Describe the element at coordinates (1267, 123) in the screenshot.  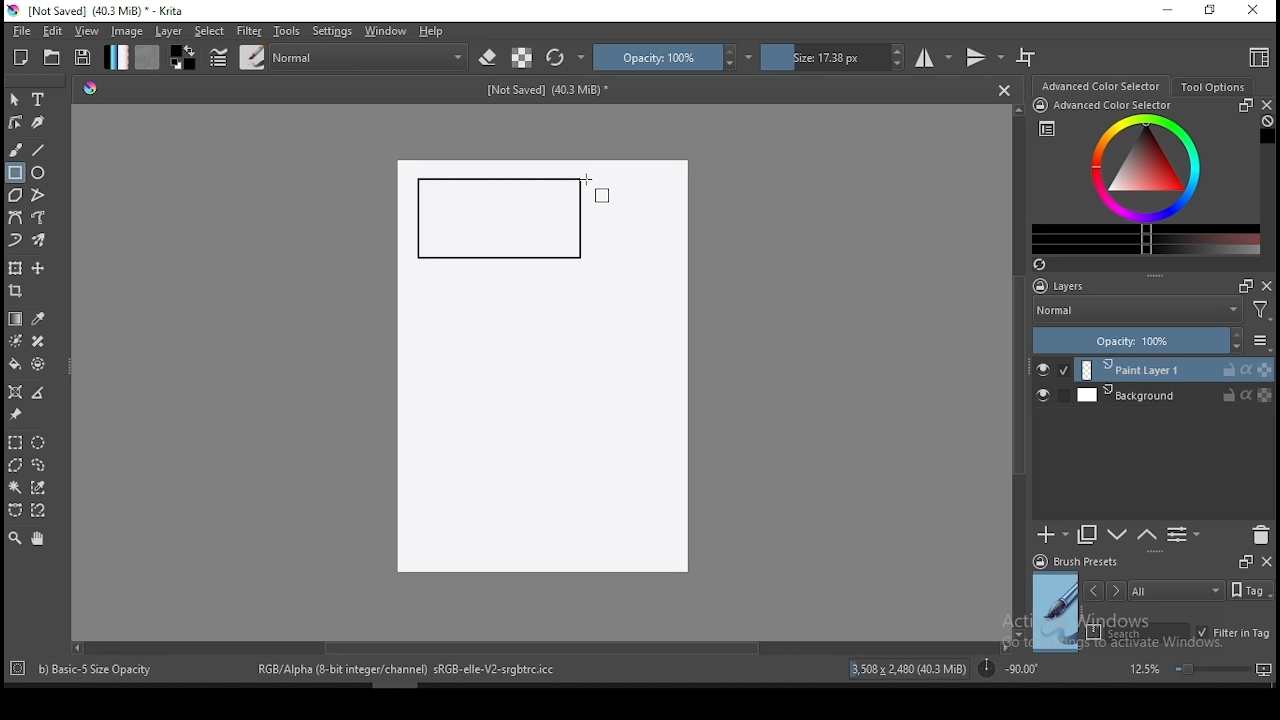
I see `Clear` at that location.